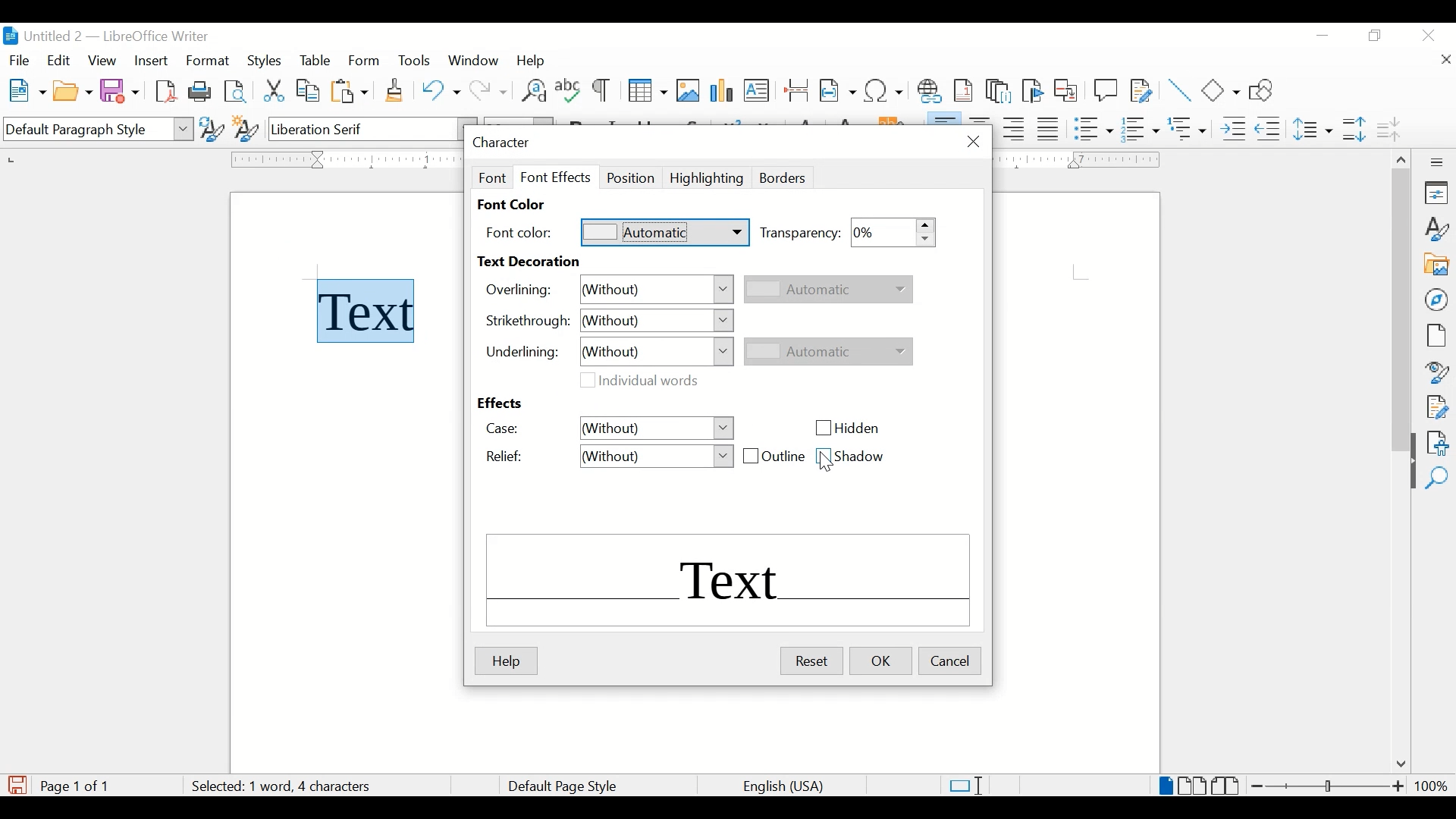  Describe the element at coordinates (666, 233) in the screenshot. I see `automatic dropdown` at that location.